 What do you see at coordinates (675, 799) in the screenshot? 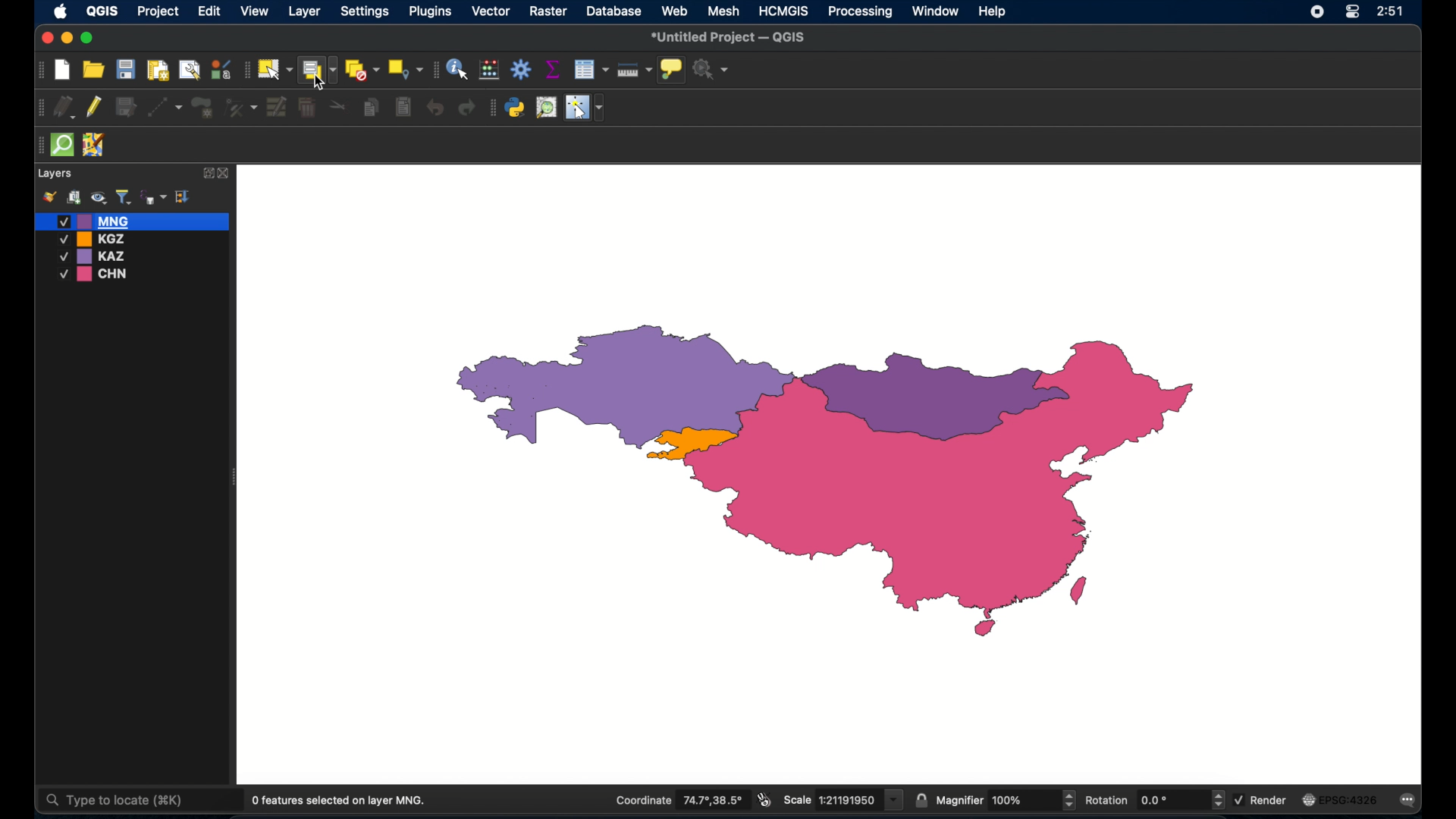
I see `Coordinate  74.7°,38.5°` at bounding box center [675, 799].